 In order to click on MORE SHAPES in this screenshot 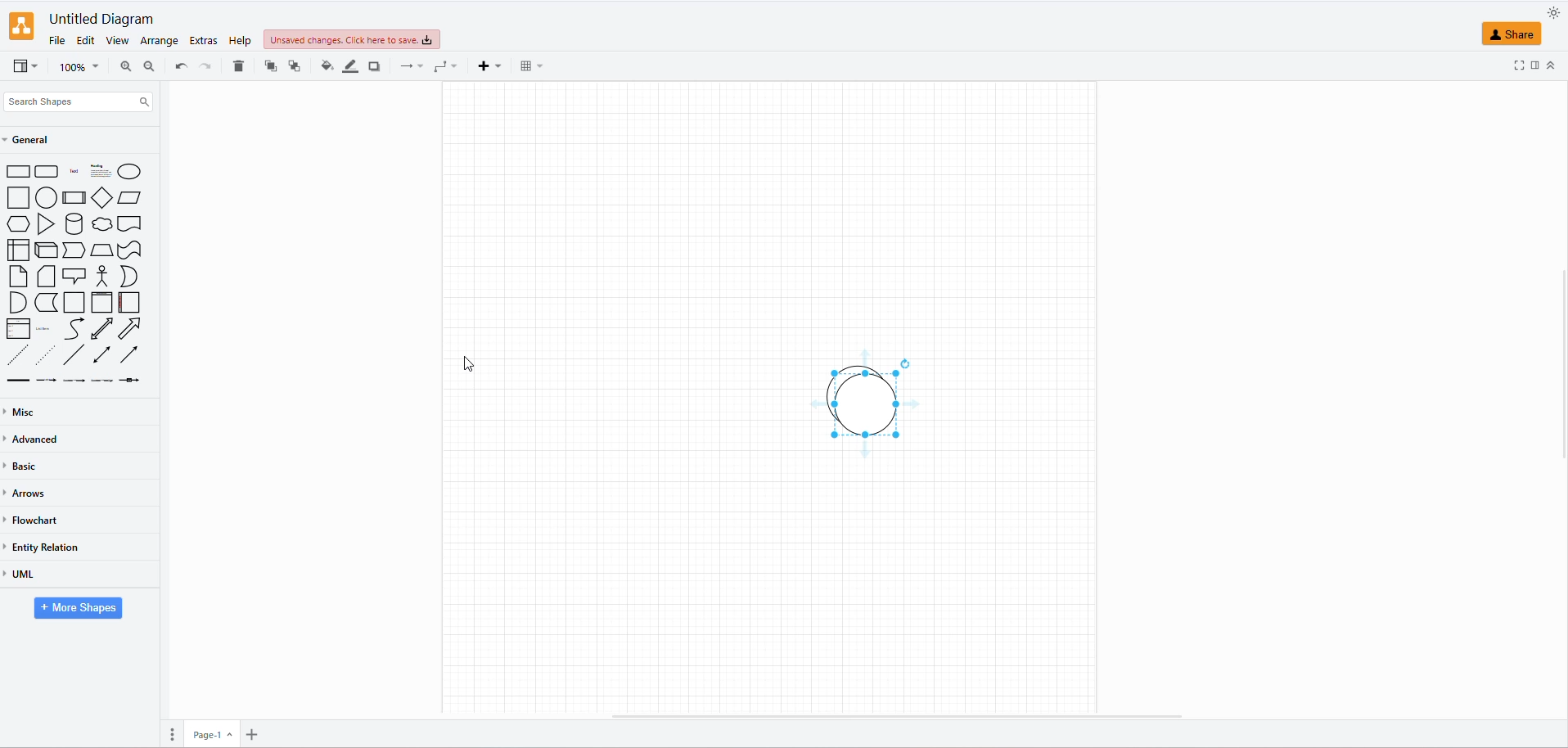, I will do `click(76, 611)`.